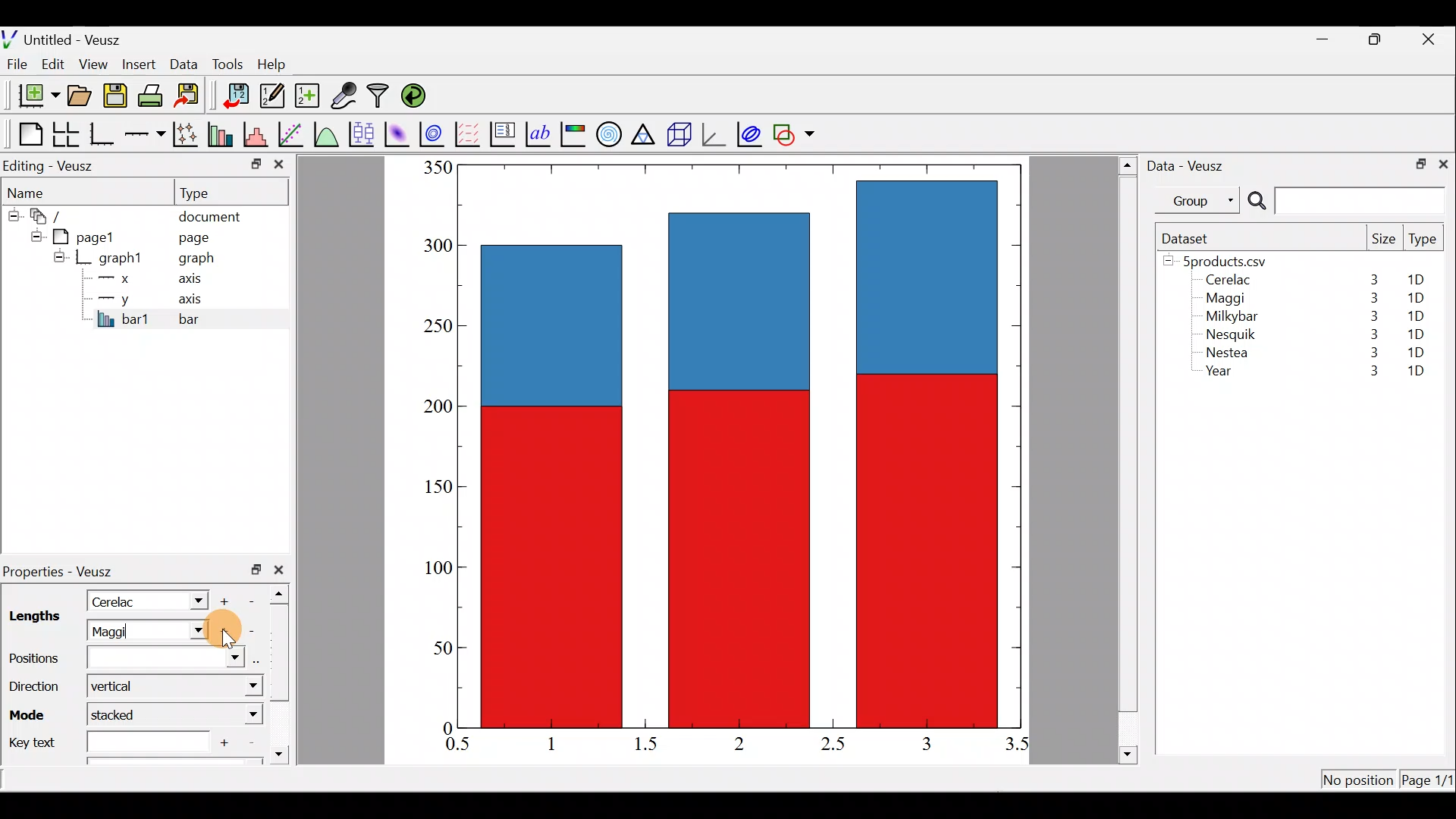 This screenshot has height=819, width=1456. Describe the element at coordinates (209, 192) in the screenshot. I see `Type` at that location.